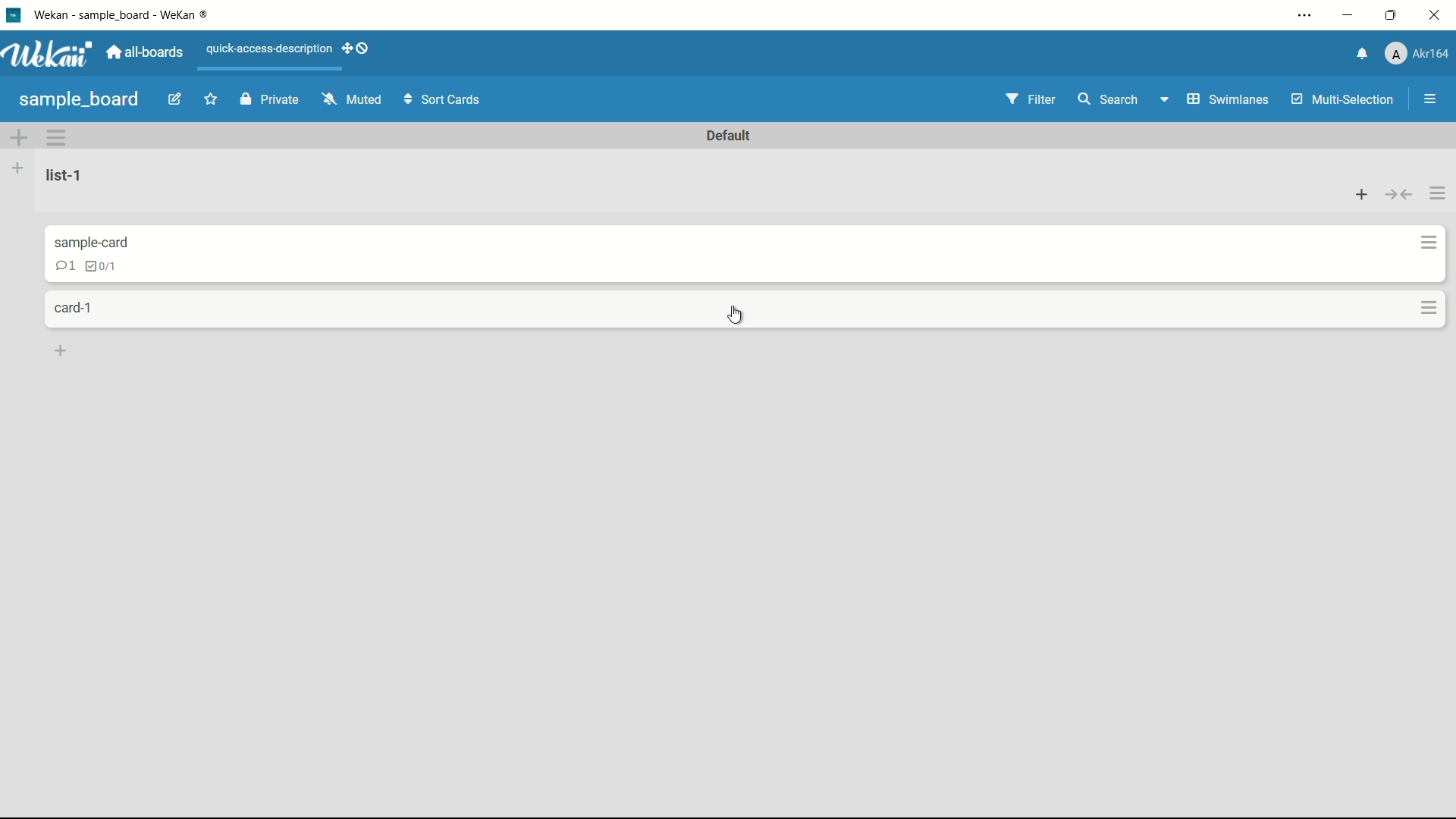  Describe the element at coordinates (734, 314) in the screenshot. I see `cursor` at that location.